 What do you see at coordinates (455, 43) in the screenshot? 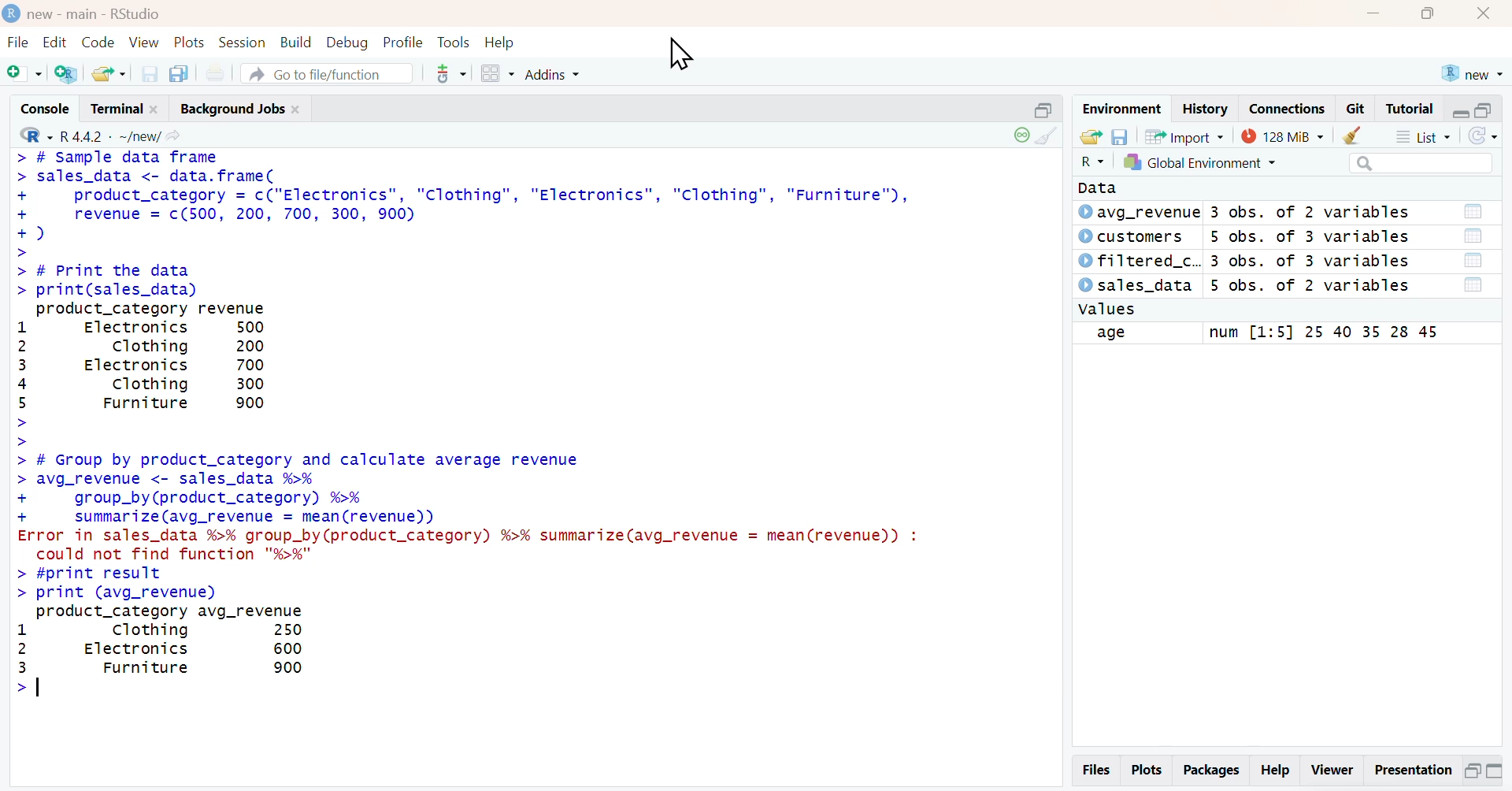
I see `Tools` at bounding box center [455, 43].